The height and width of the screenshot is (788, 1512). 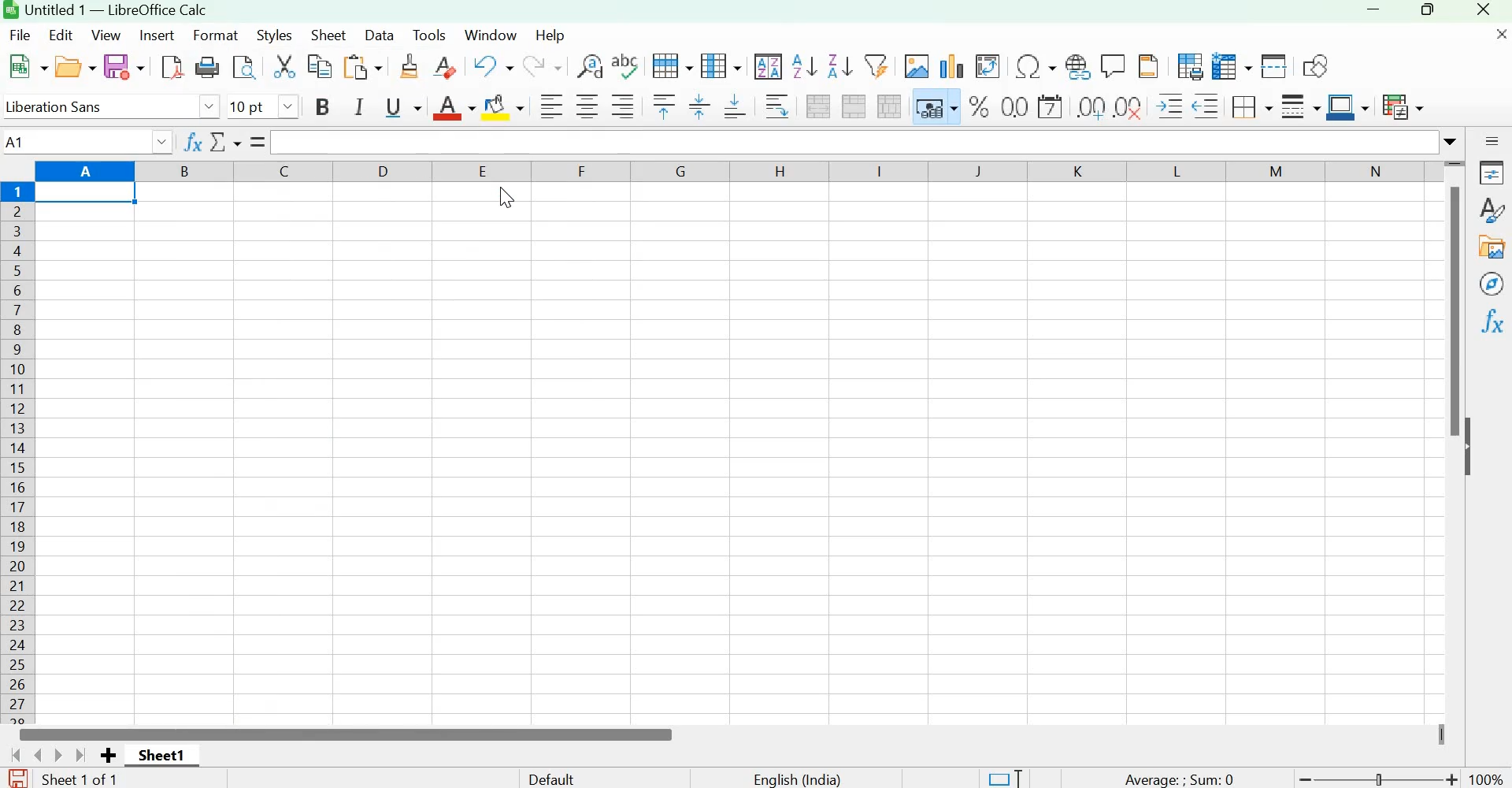 What do you see at coordinates (1171, 105) in the screenshot?
I see `Increase Indent` at bounding box center [1171, 105].